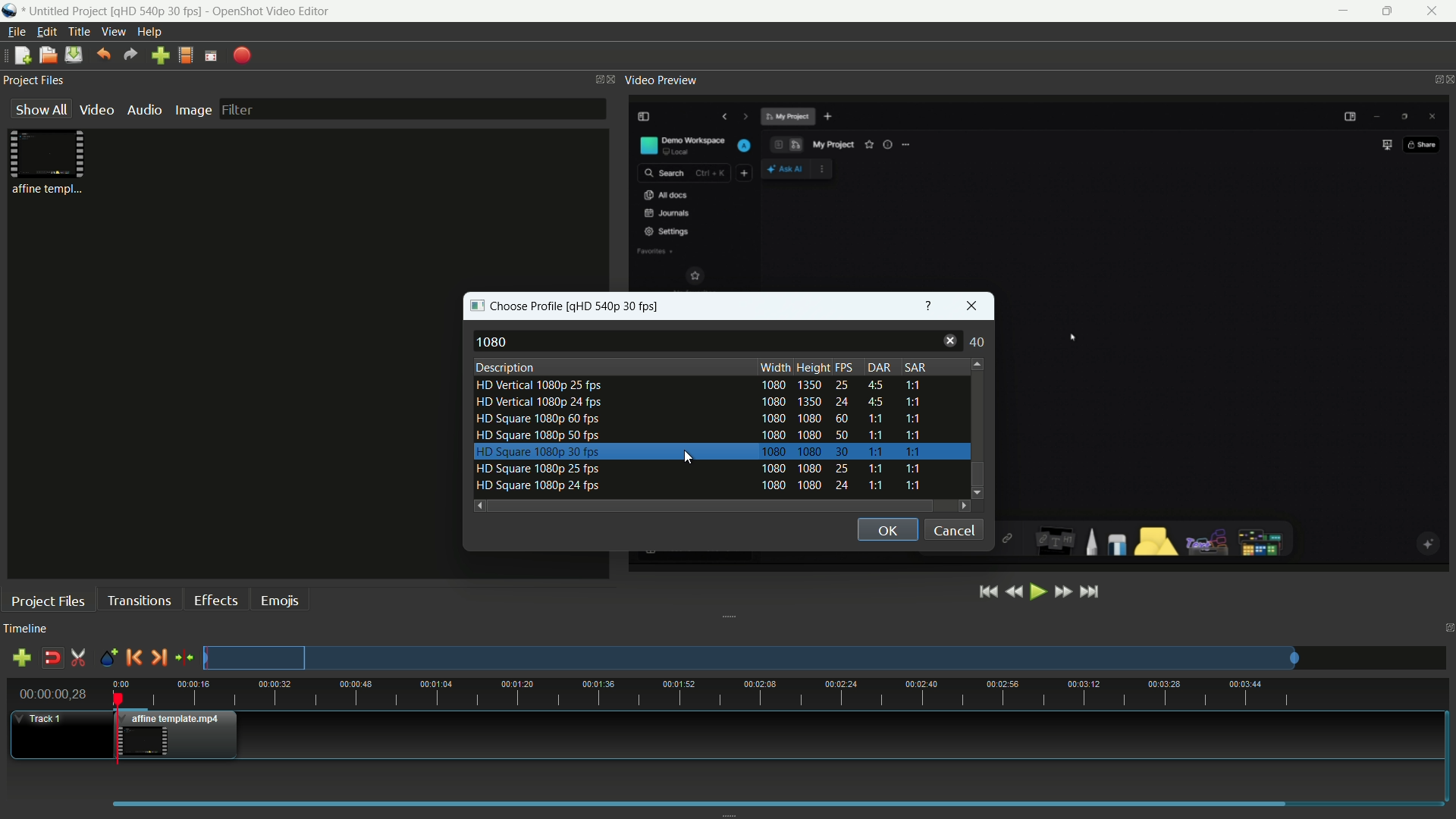 The width and height of the screenshot is (1456, 819). I want to click on full screen, so click(211, 55).